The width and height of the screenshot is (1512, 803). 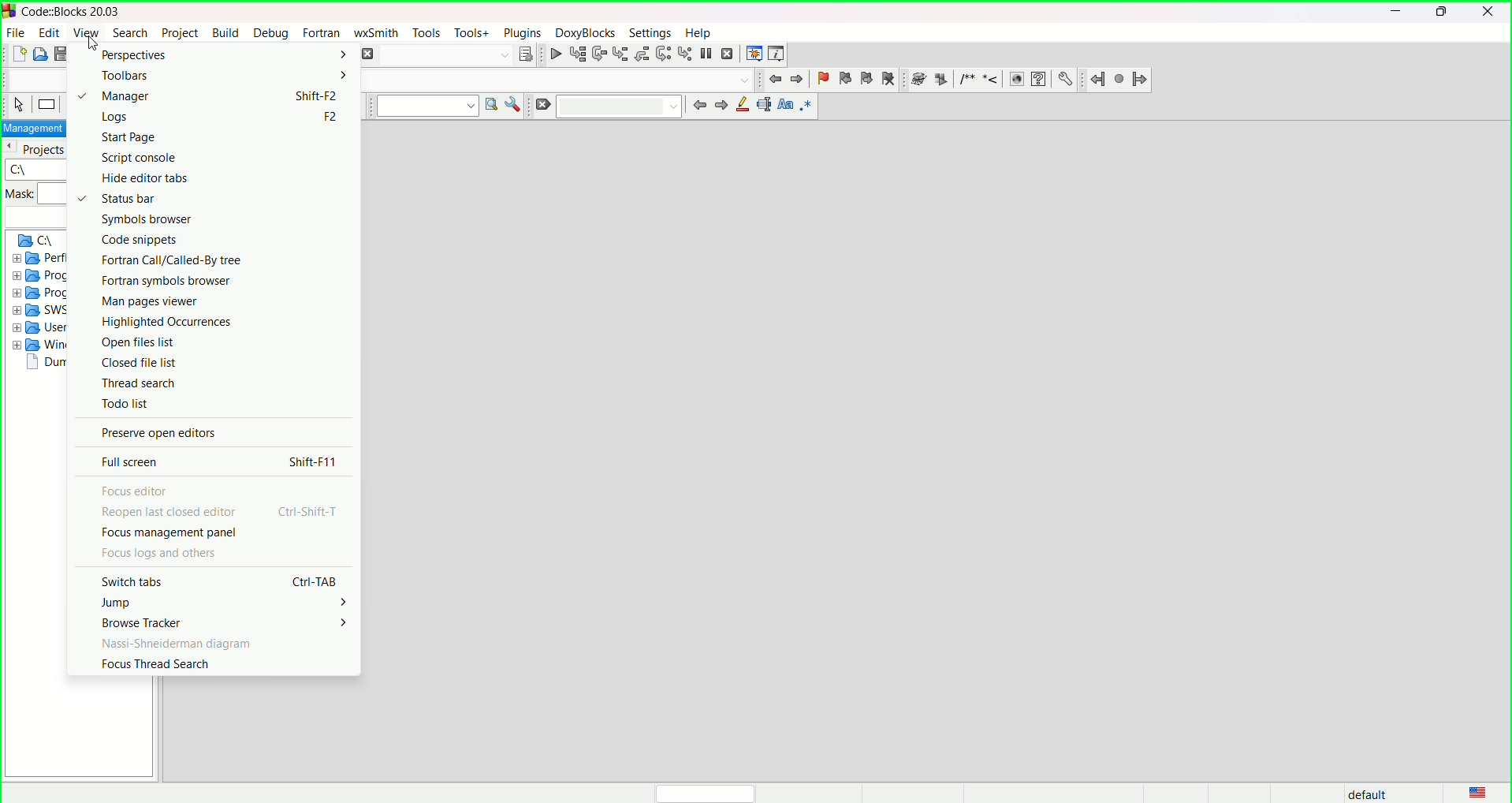 I want to click on jump back, so click(x=1097, y=80).